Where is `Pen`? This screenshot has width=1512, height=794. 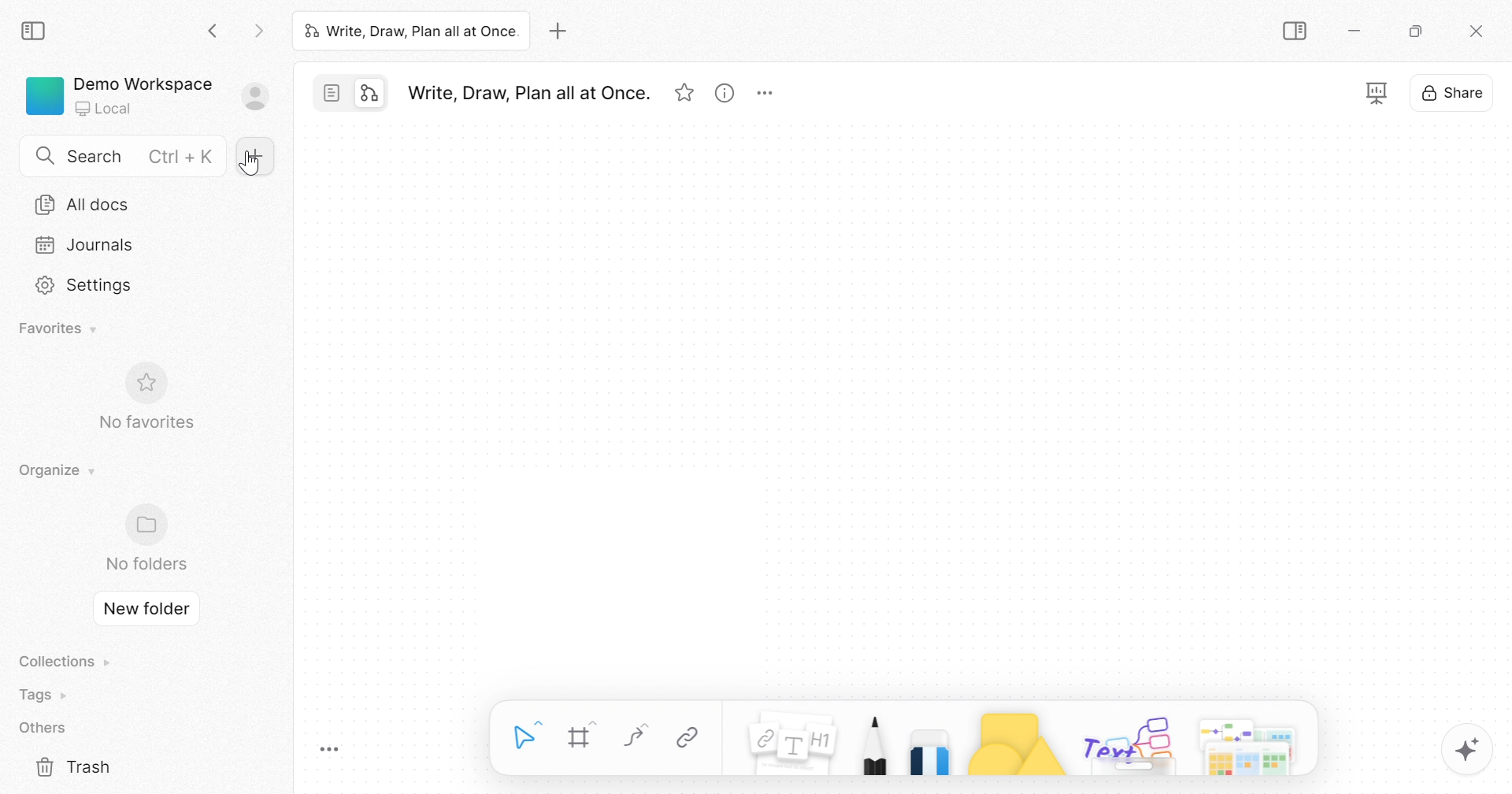 Pen is located at coordinates (874, 740).